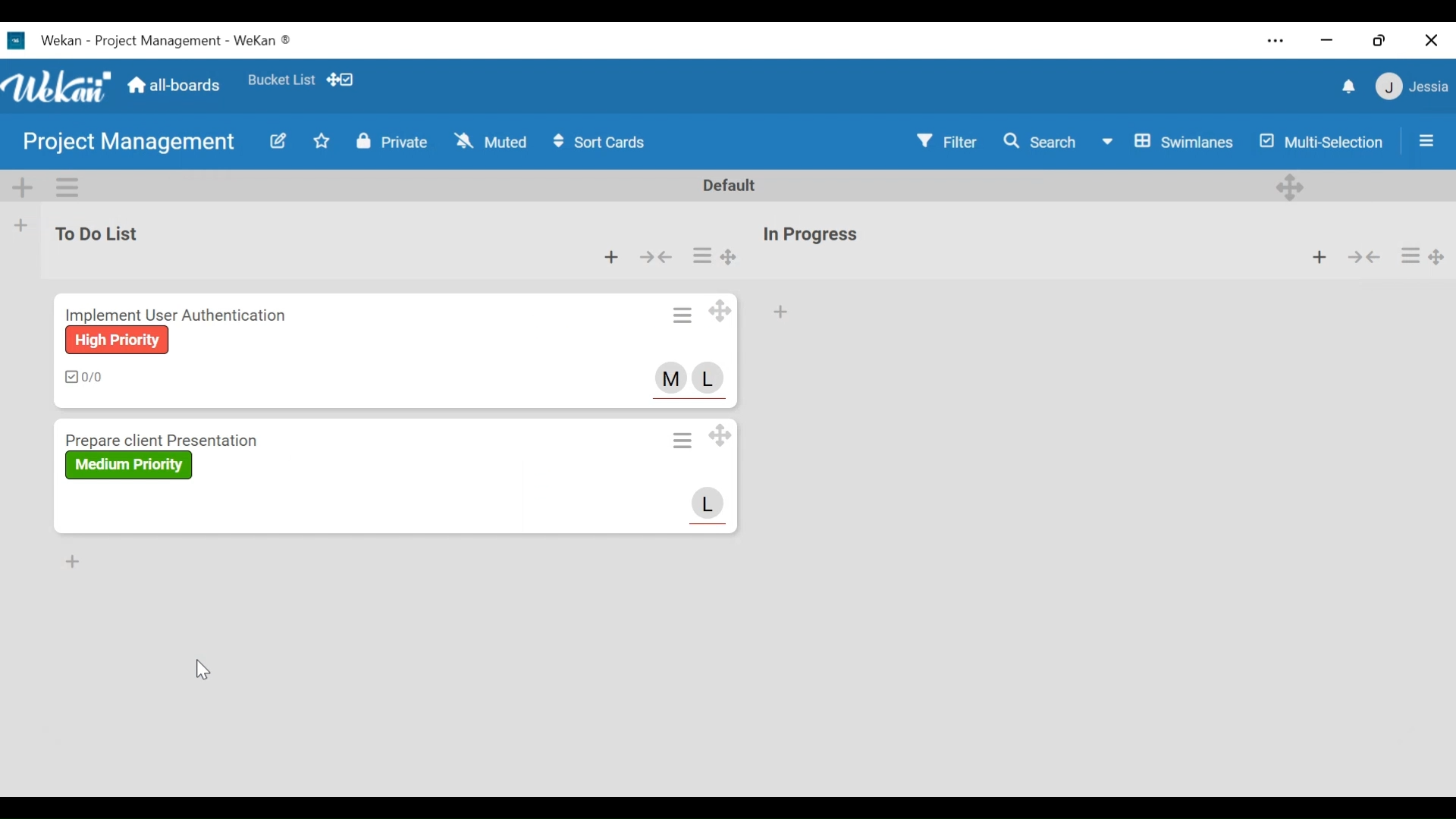  Describe the element at coordinates (279, 80) in the screenshot. I see `Favorites` at that location.